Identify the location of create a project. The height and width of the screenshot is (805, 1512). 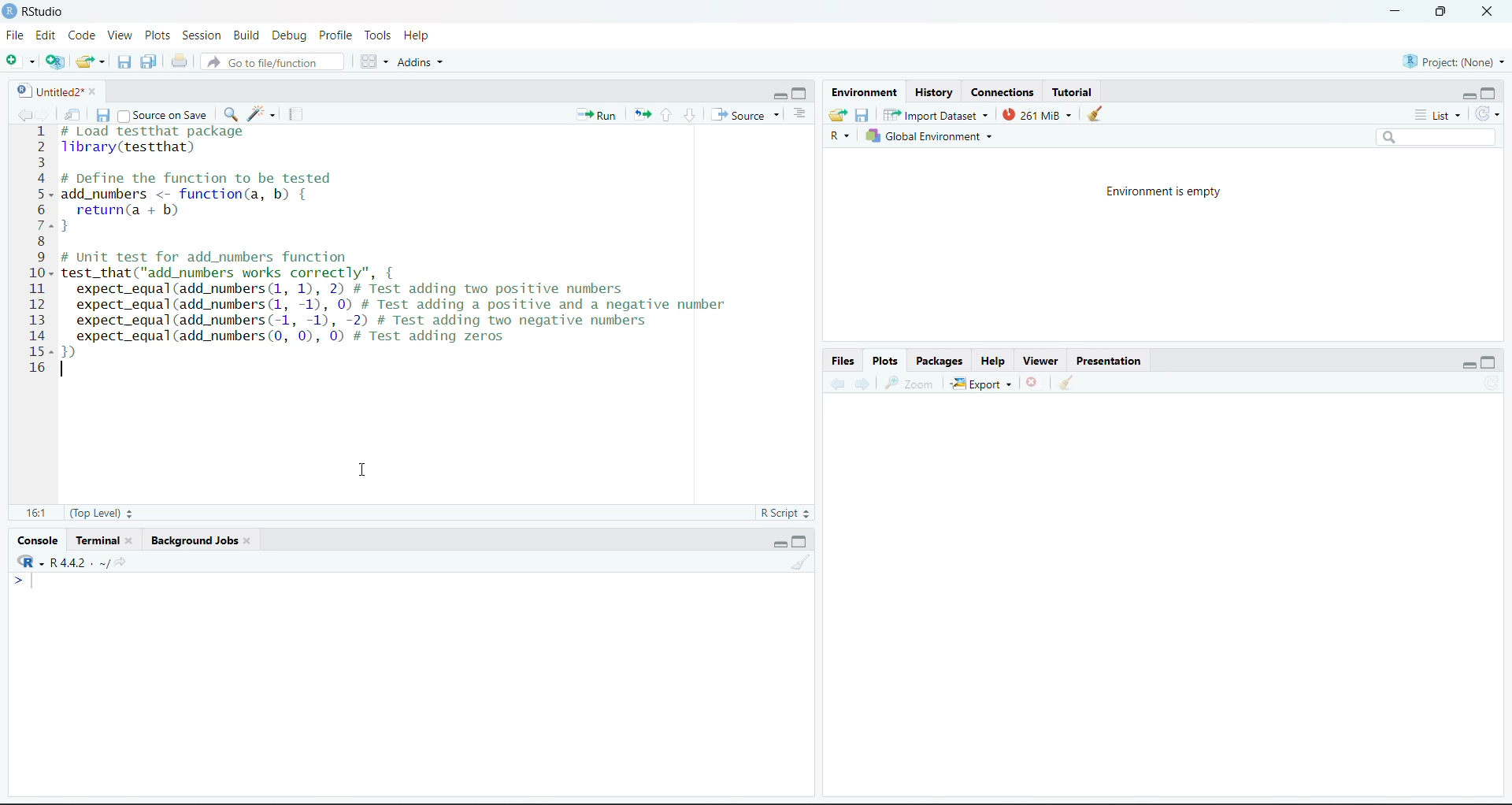
(54, 61).